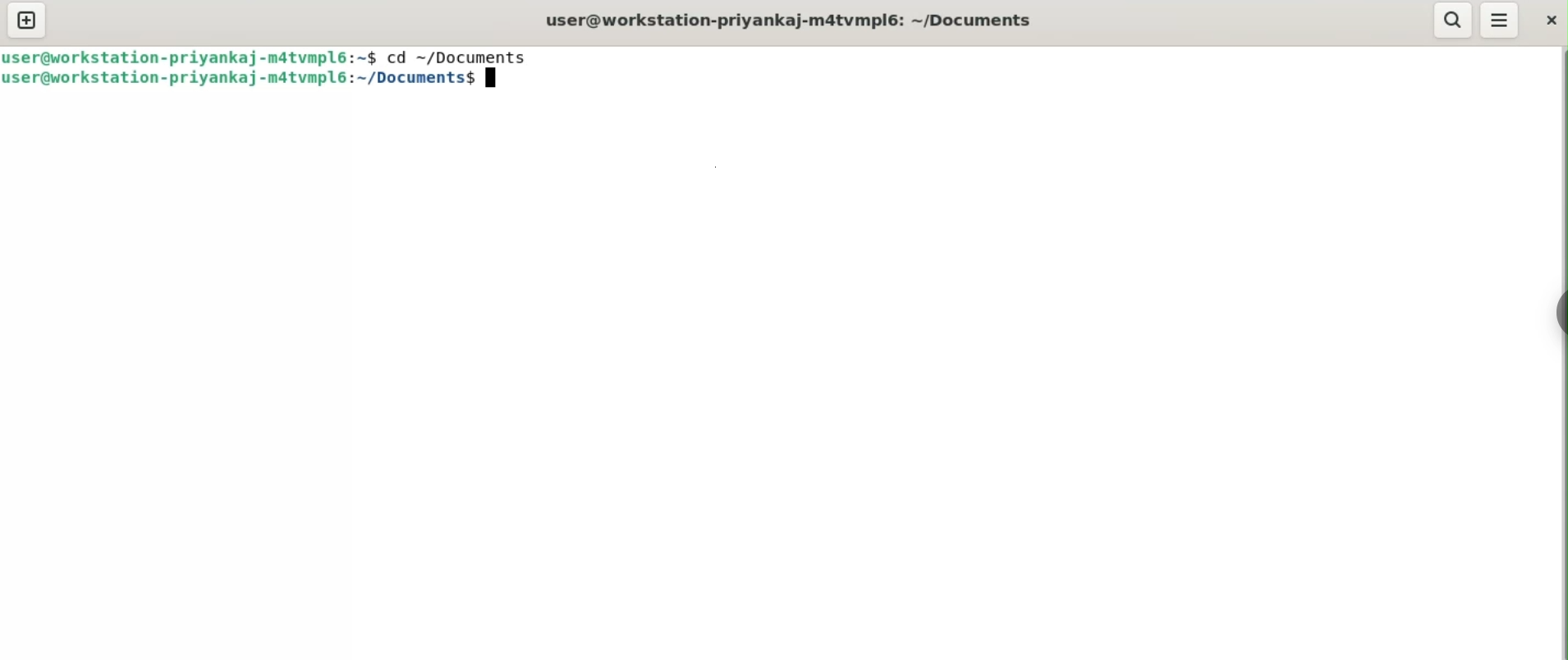 This screenshot has width=1568, height=660. Describe the element at coordinates (1549, 20) in the screenshot. I see `close` at that location.